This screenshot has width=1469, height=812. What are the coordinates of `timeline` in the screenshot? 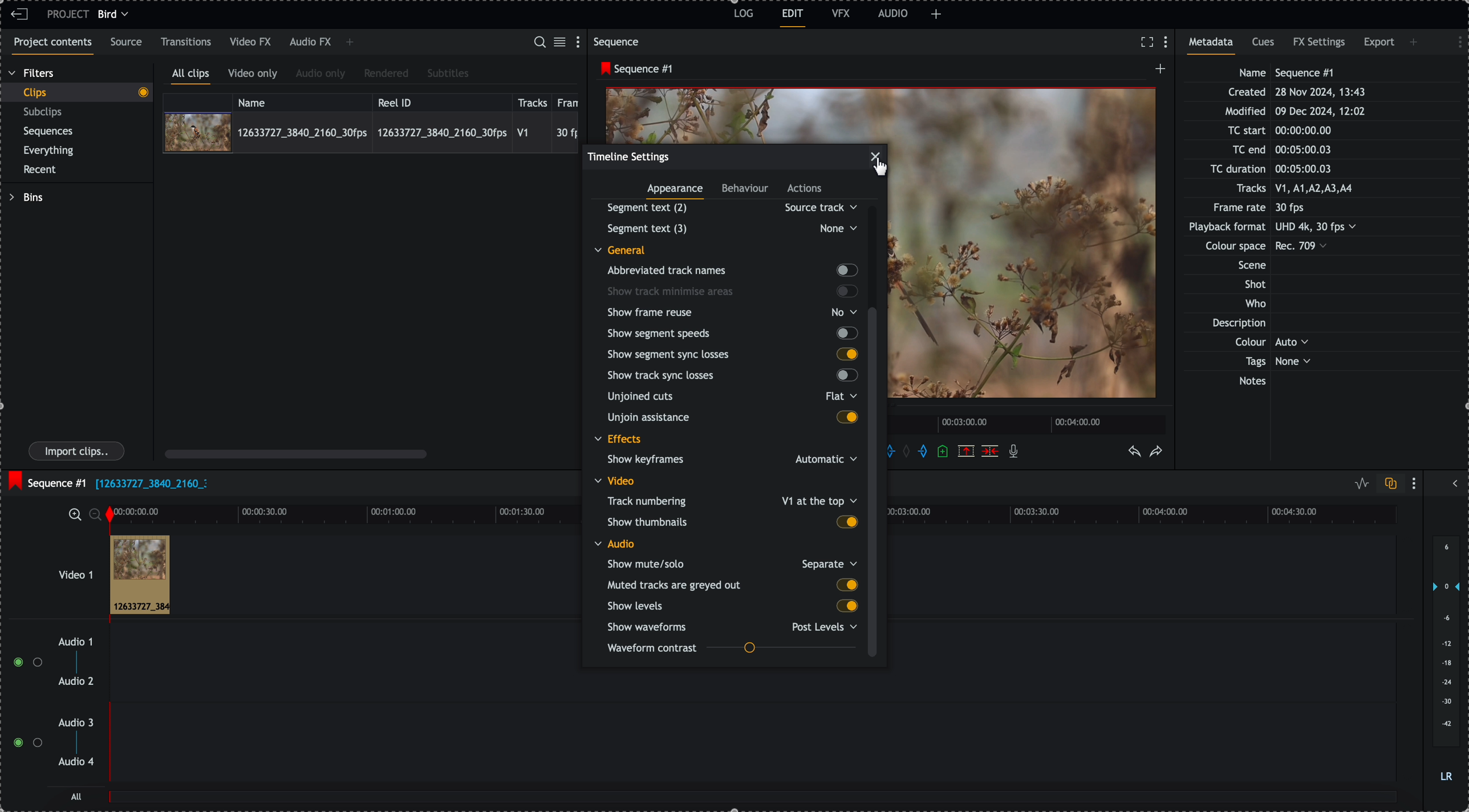 It's located at (1029, 423).